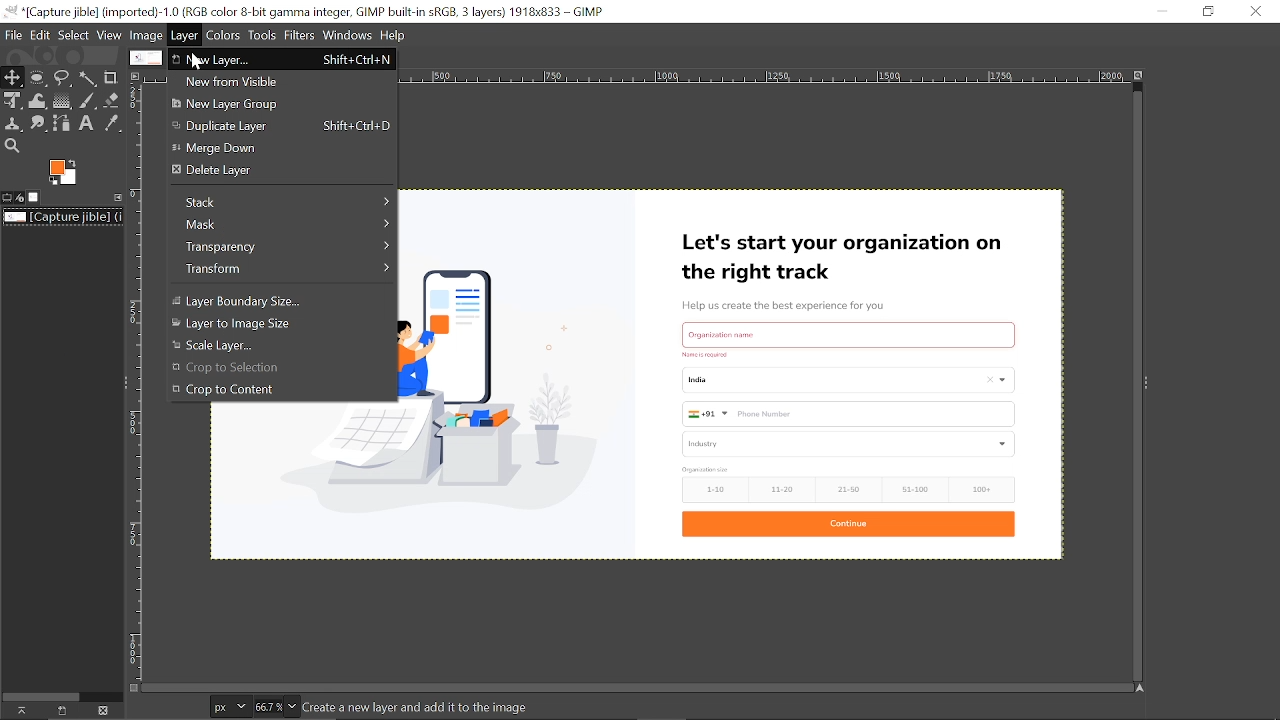 This screenshot has height=720, width=1280. What do you see at coordinates (278, 170) in the screenshot?
I see `Delete layer` at bounding box center [278, 170].